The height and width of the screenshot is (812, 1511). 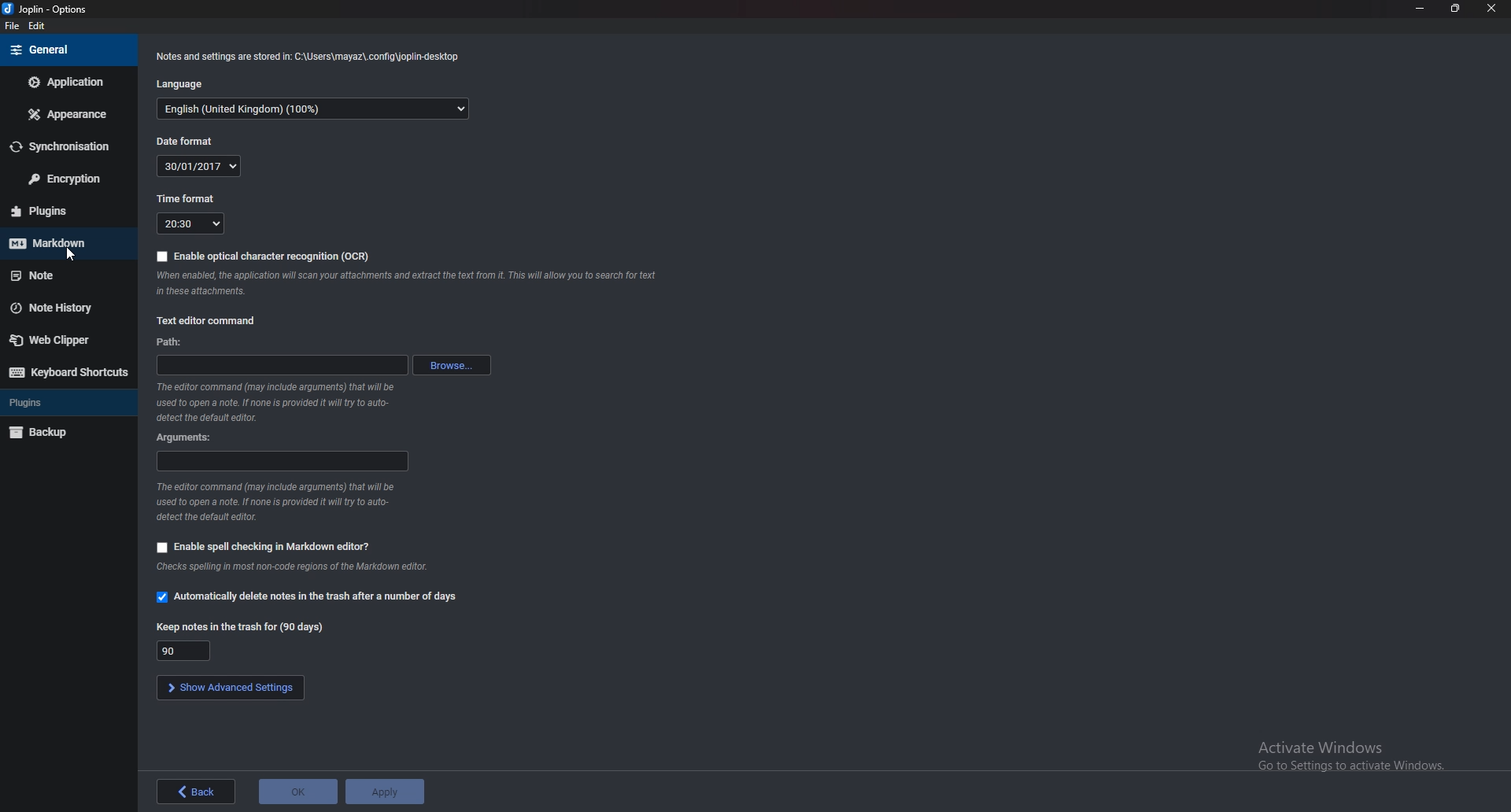 What do you see at coordinates (58, 278) in the screenshot?
I see `note` at bounding box center [58, 278].